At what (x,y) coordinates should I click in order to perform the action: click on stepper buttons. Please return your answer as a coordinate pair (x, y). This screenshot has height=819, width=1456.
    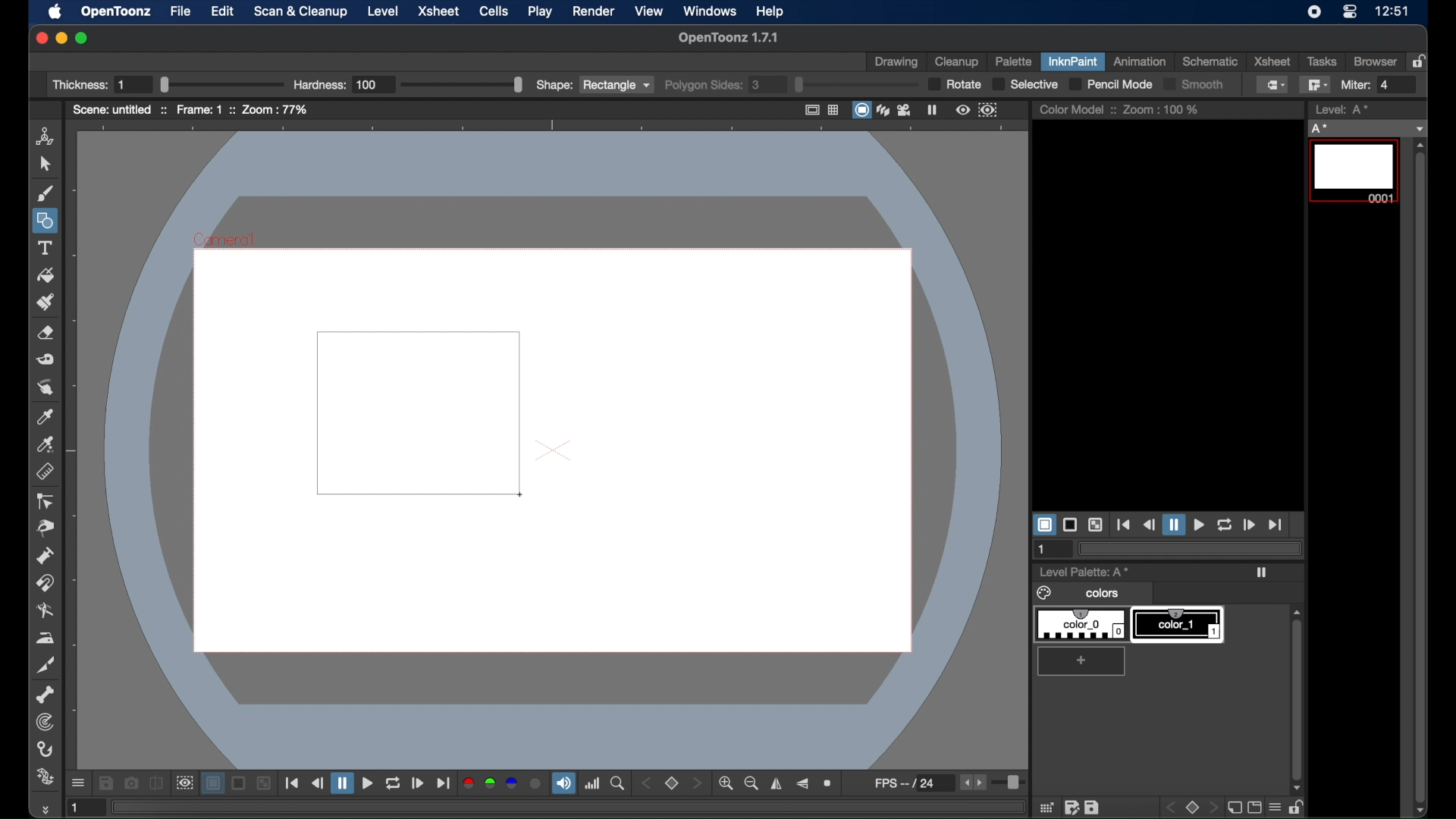
    Looking at the image, I should click on (972, 782).